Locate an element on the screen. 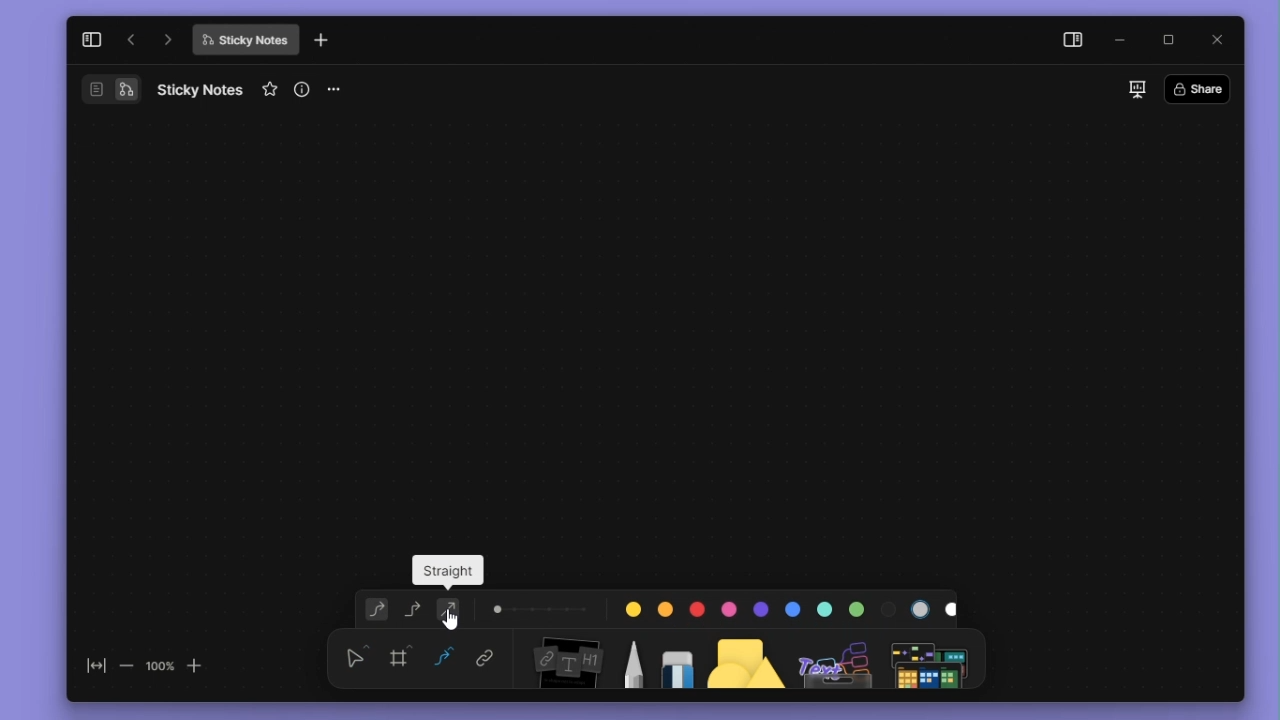 The height and width of the screenshot is (720, 1280). view info is located at coordinates (304, 89).